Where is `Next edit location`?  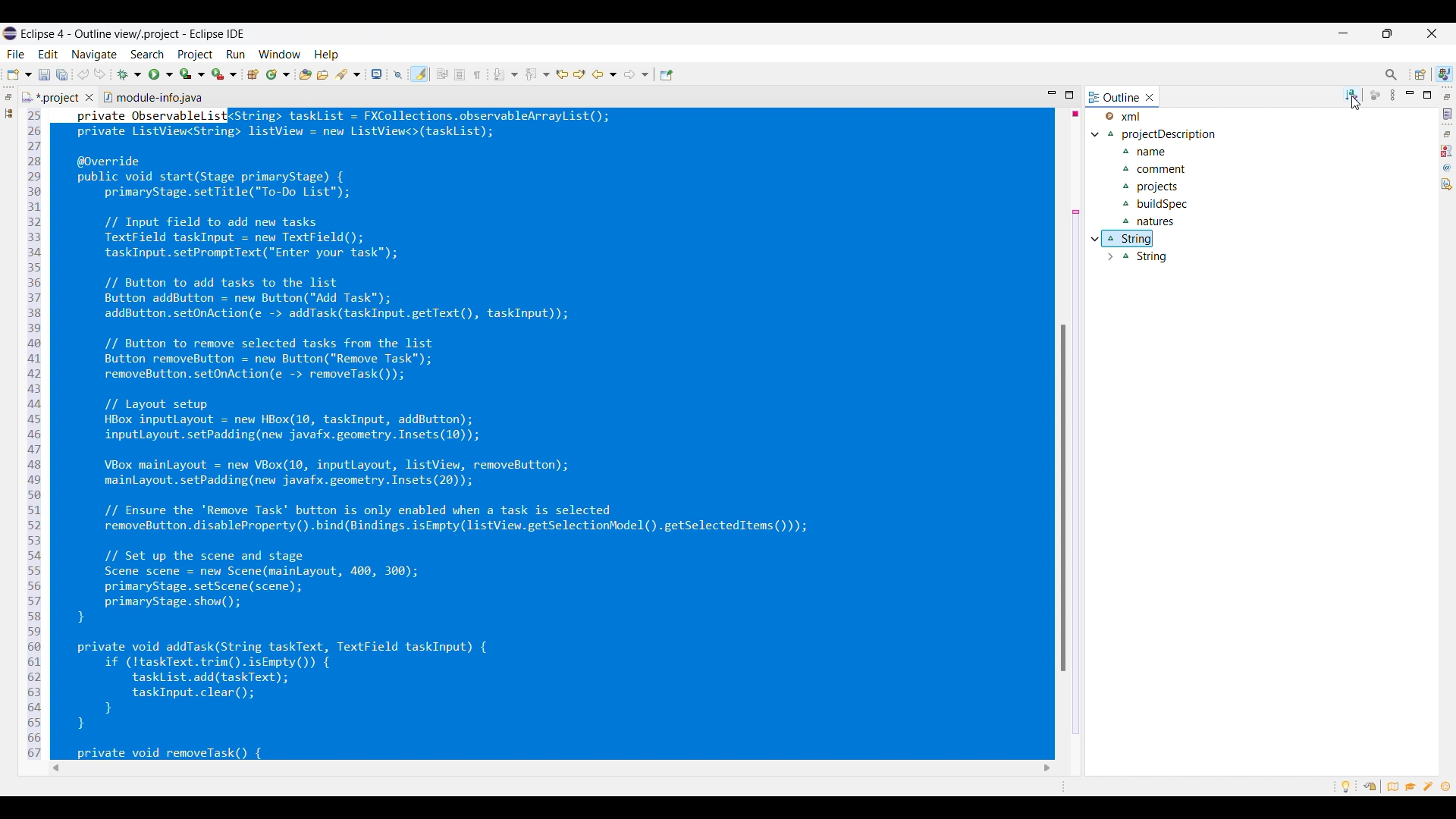 Next edit location is located at coordinates (580, 74).